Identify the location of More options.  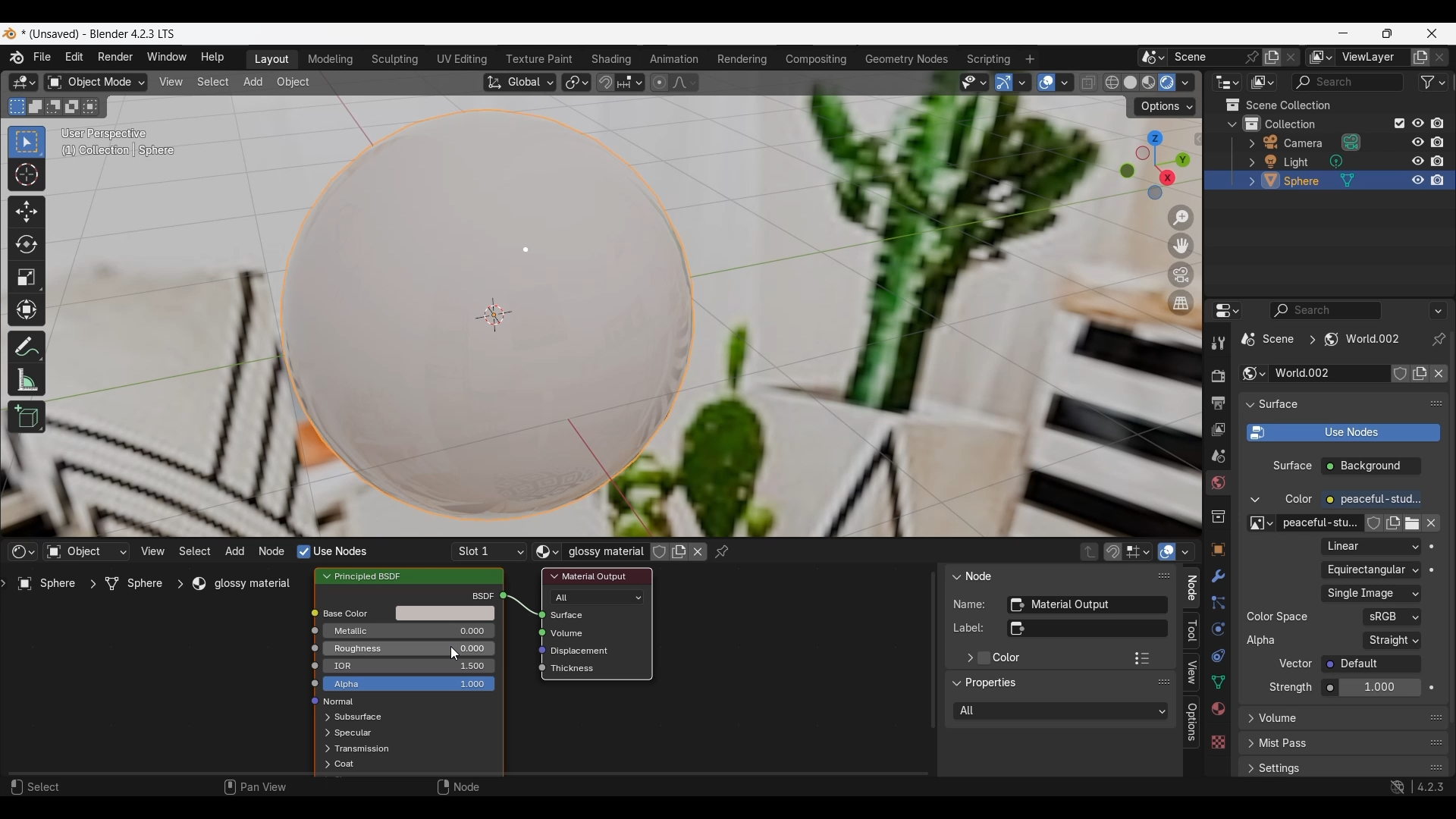
(1438, 311).